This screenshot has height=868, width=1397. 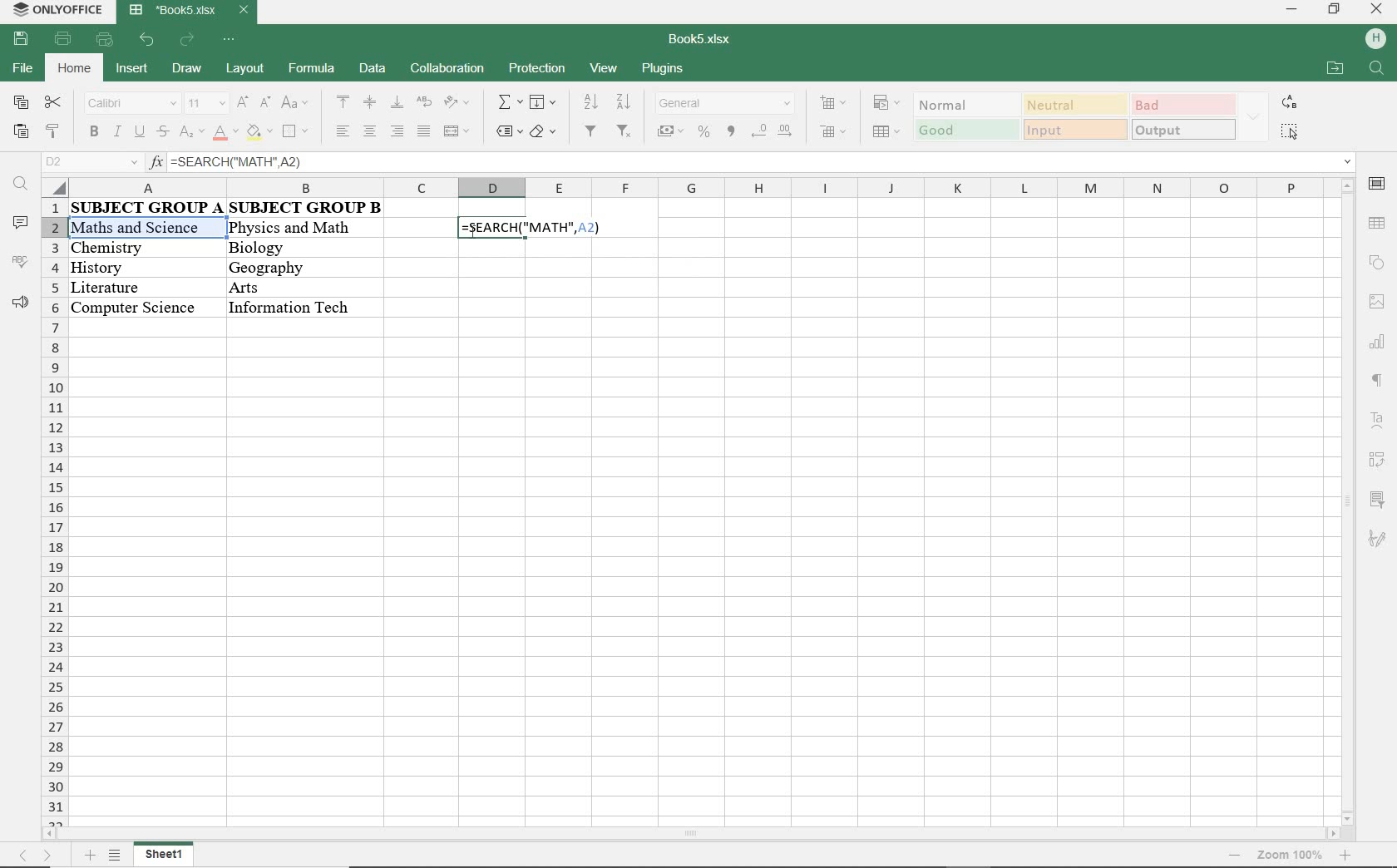 What do you see at coordinates (422, 132) in the screenshot?
I see `justified` at bounding box center [422, 132].